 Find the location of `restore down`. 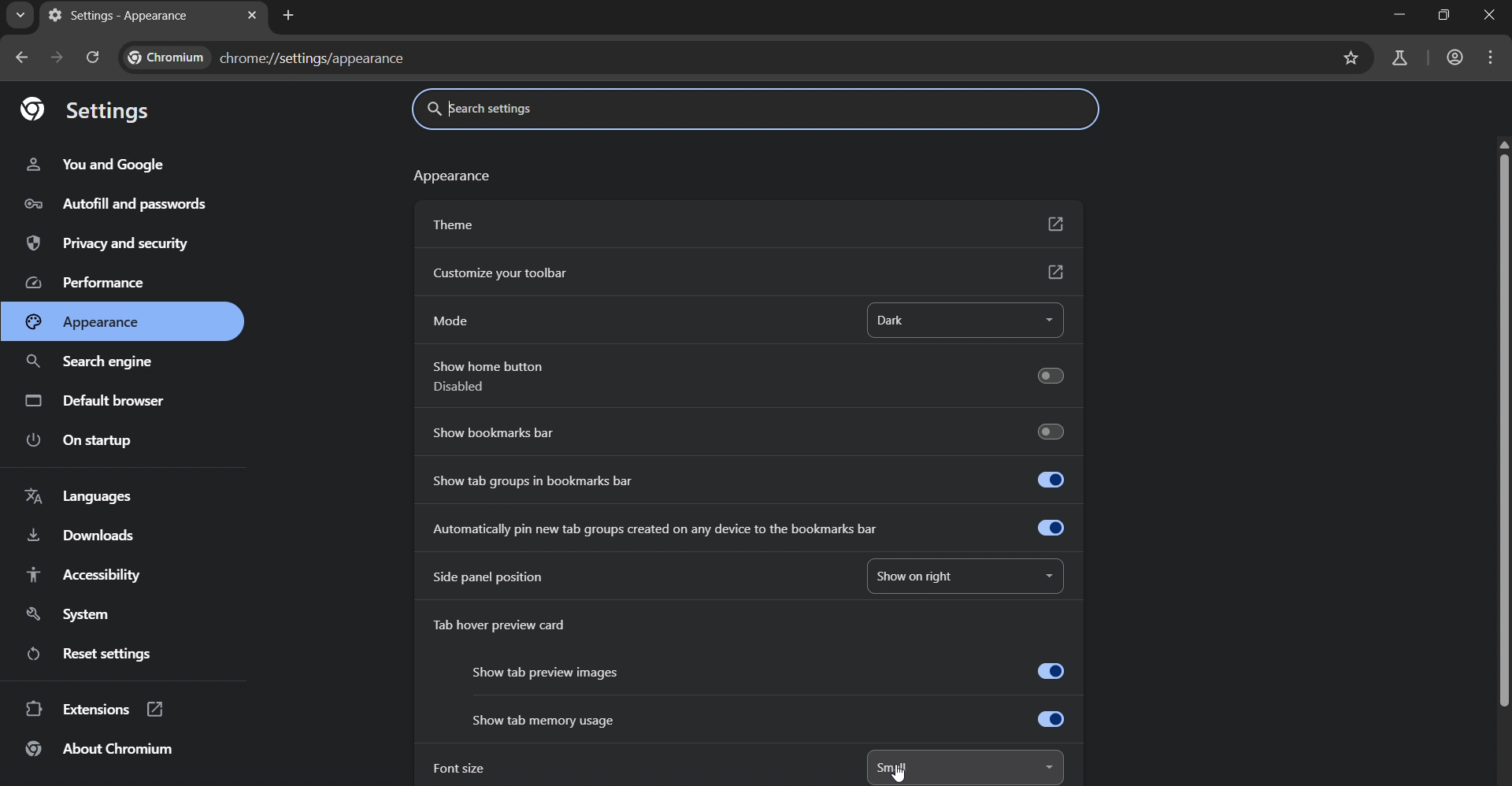

restore down is located at coordinates (1444, 14).